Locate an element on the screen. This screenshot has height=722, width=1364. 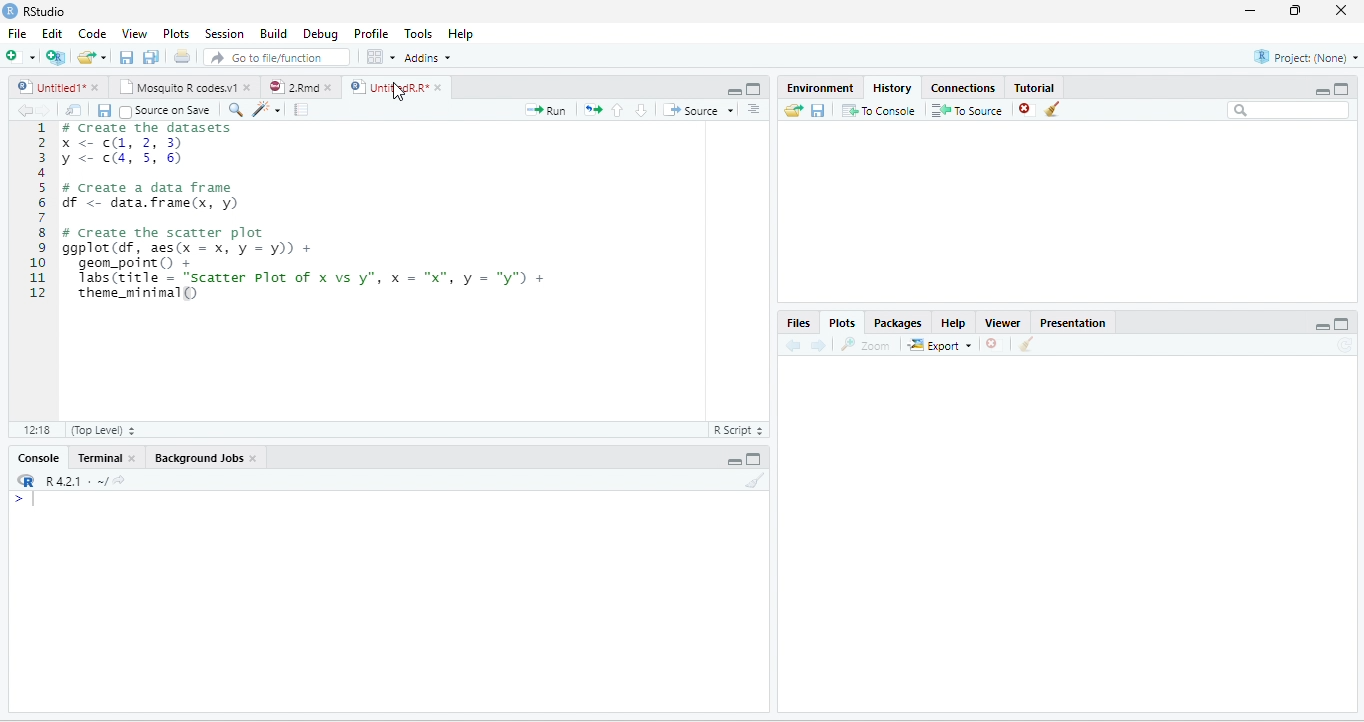
Run is located at coordinates (546, 110).